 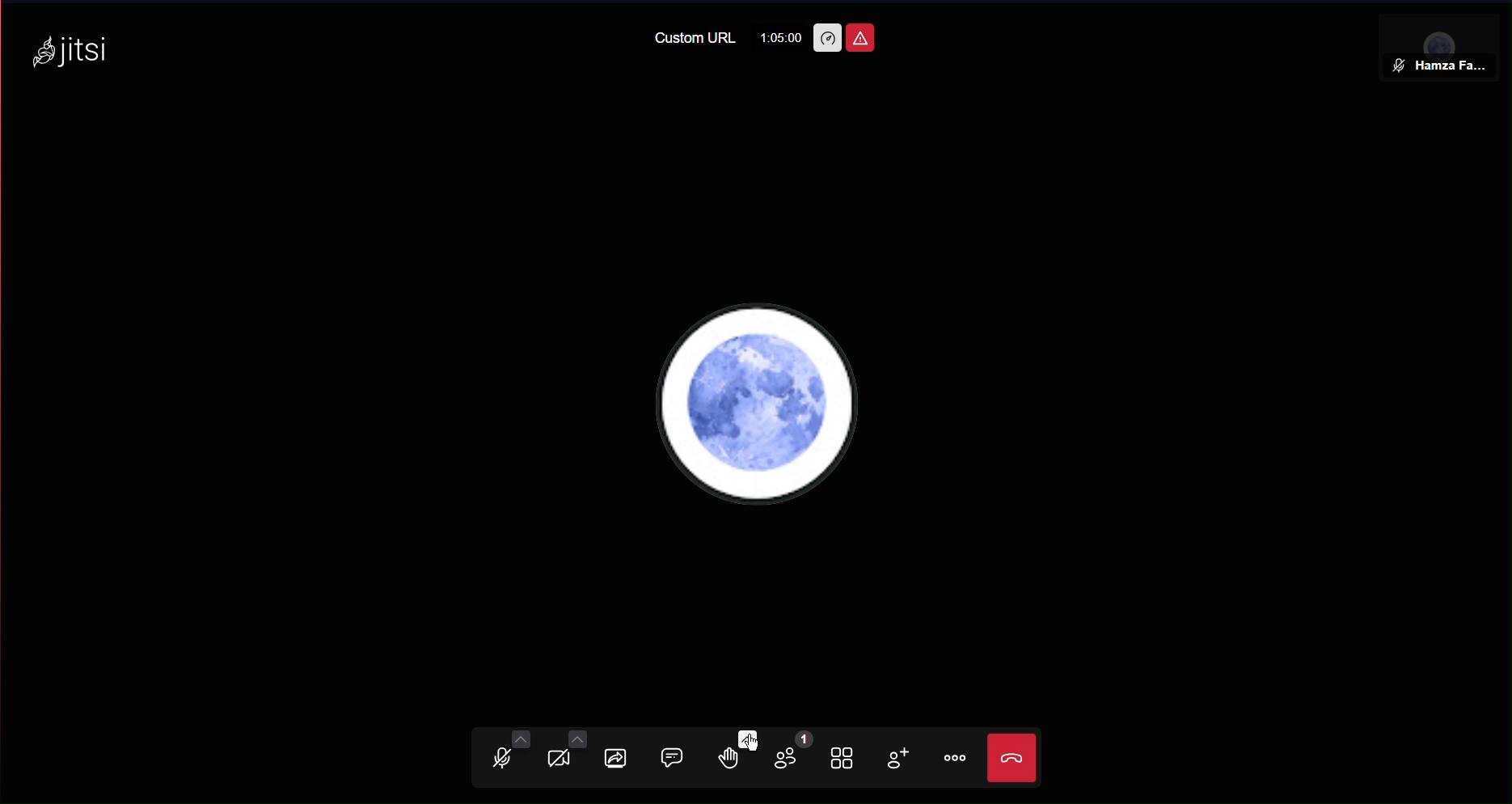 What do you see at coordinates (1016, 760) in the screenshot?
I see `End Call` at bounding box center [1016, 760].